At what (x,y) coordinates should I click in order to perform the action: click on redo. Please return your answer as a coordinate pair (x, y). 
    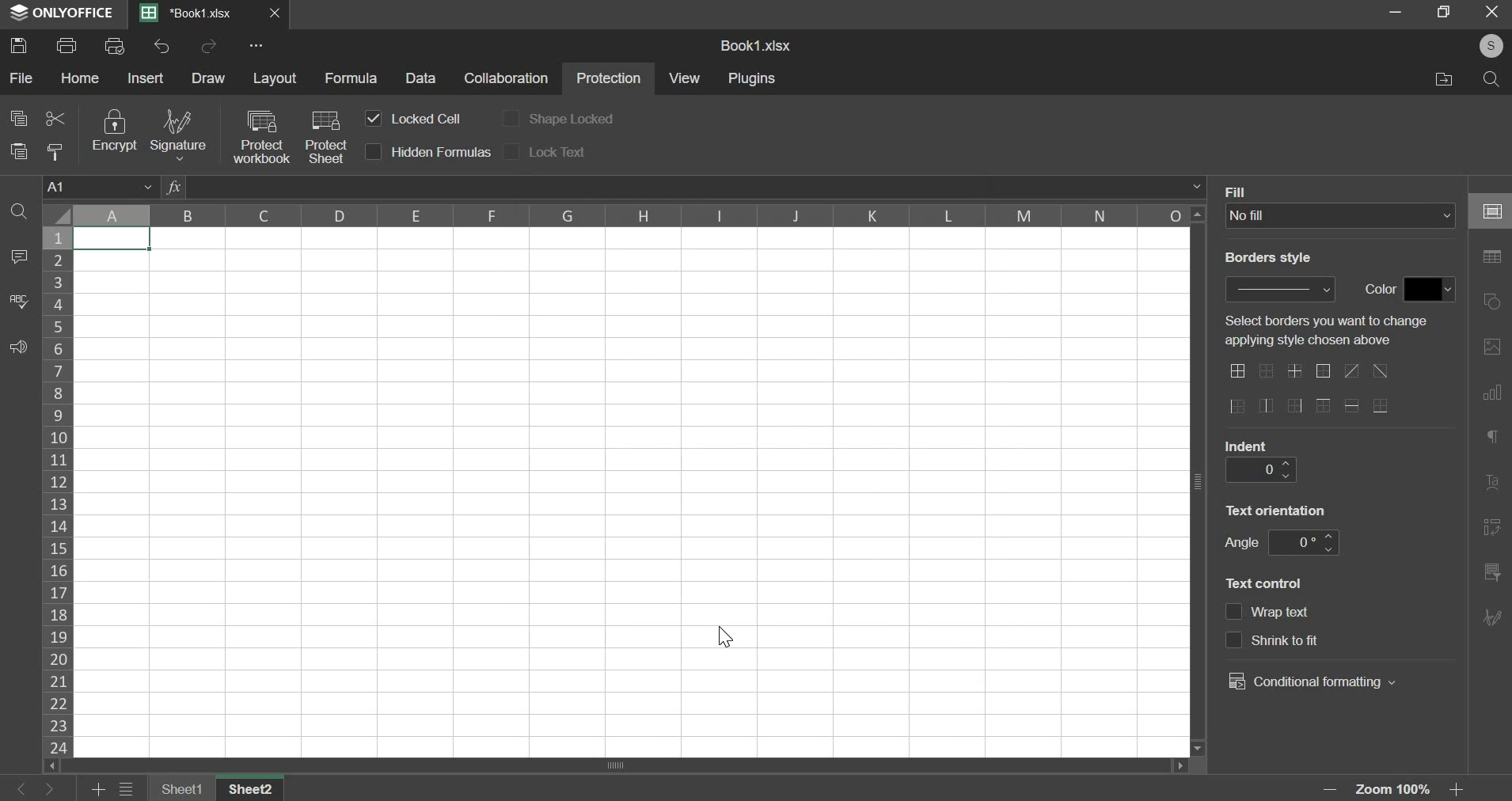
    Looking at the image, I should click on (209, 47).